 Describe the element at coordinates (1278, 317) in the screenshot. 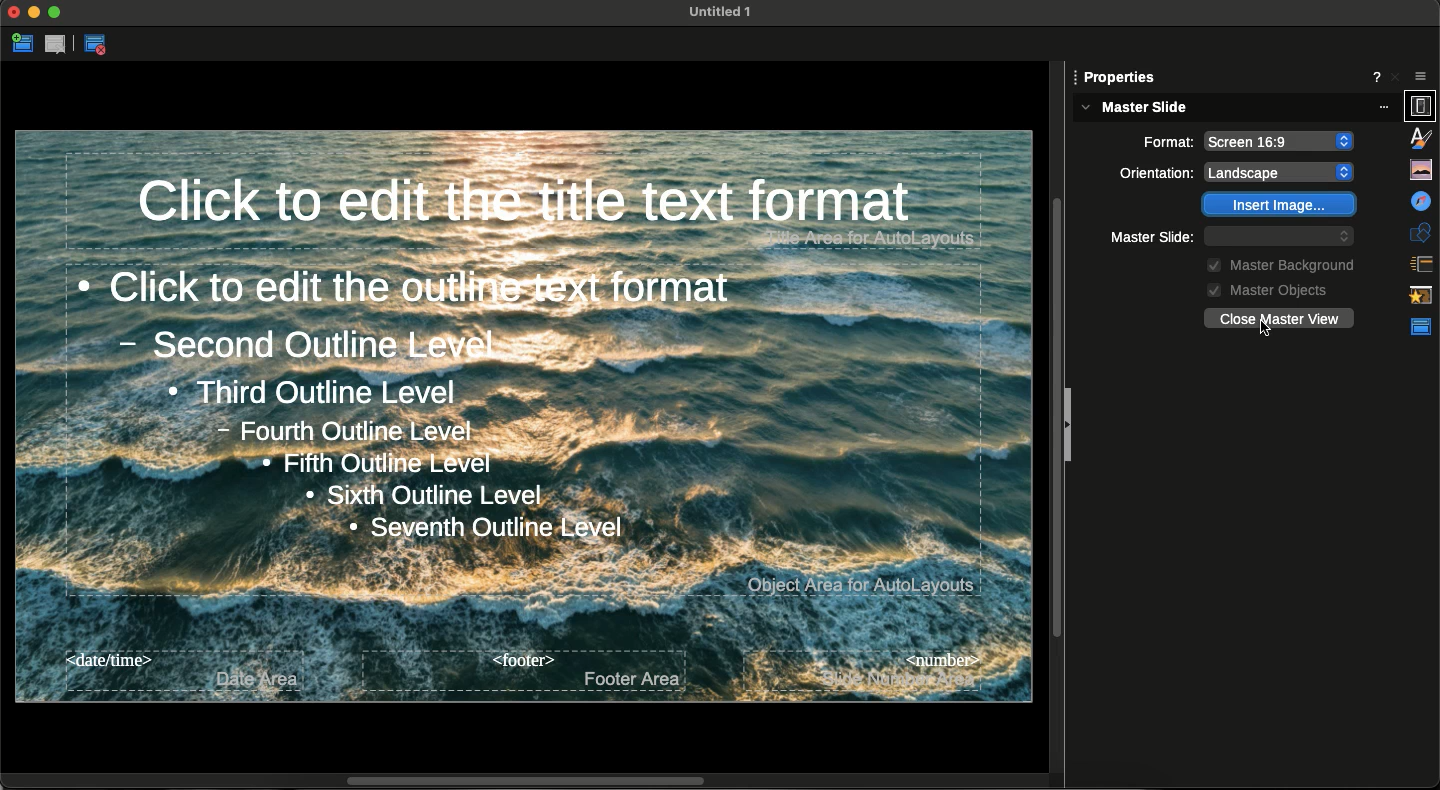

I see `Close master view` at that location.